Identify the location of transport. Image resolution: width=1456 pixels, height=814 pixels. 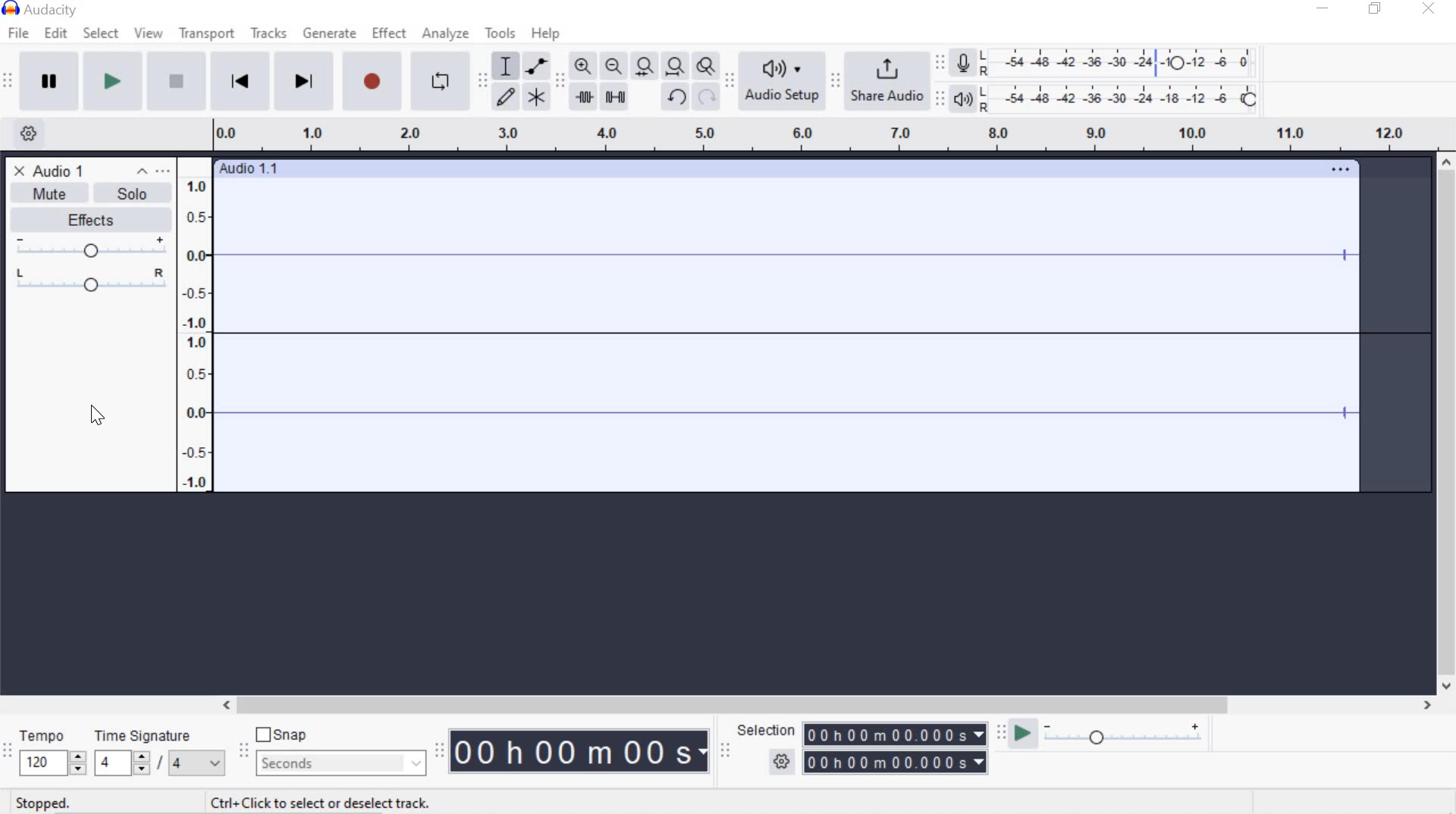
(206, 33).